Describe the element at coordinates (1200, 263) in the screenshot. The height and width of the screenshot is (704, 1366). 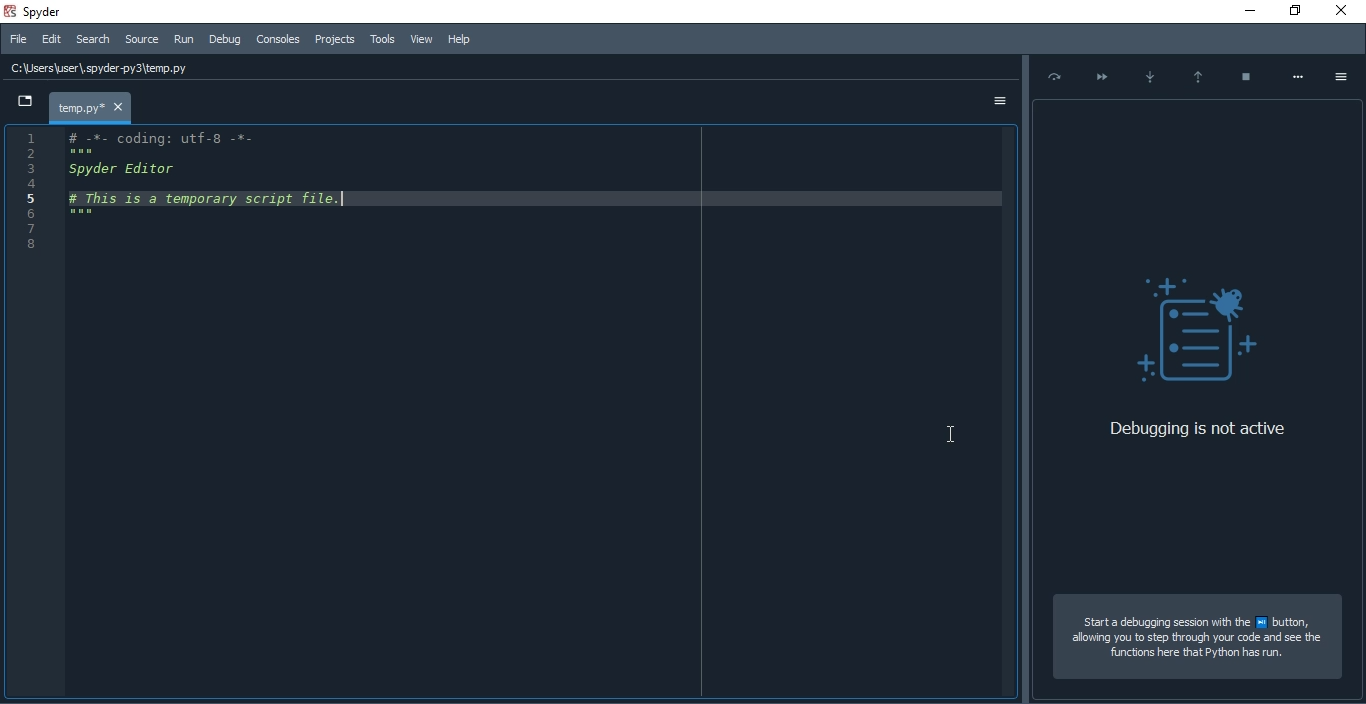
I see `debugging details` at that location.